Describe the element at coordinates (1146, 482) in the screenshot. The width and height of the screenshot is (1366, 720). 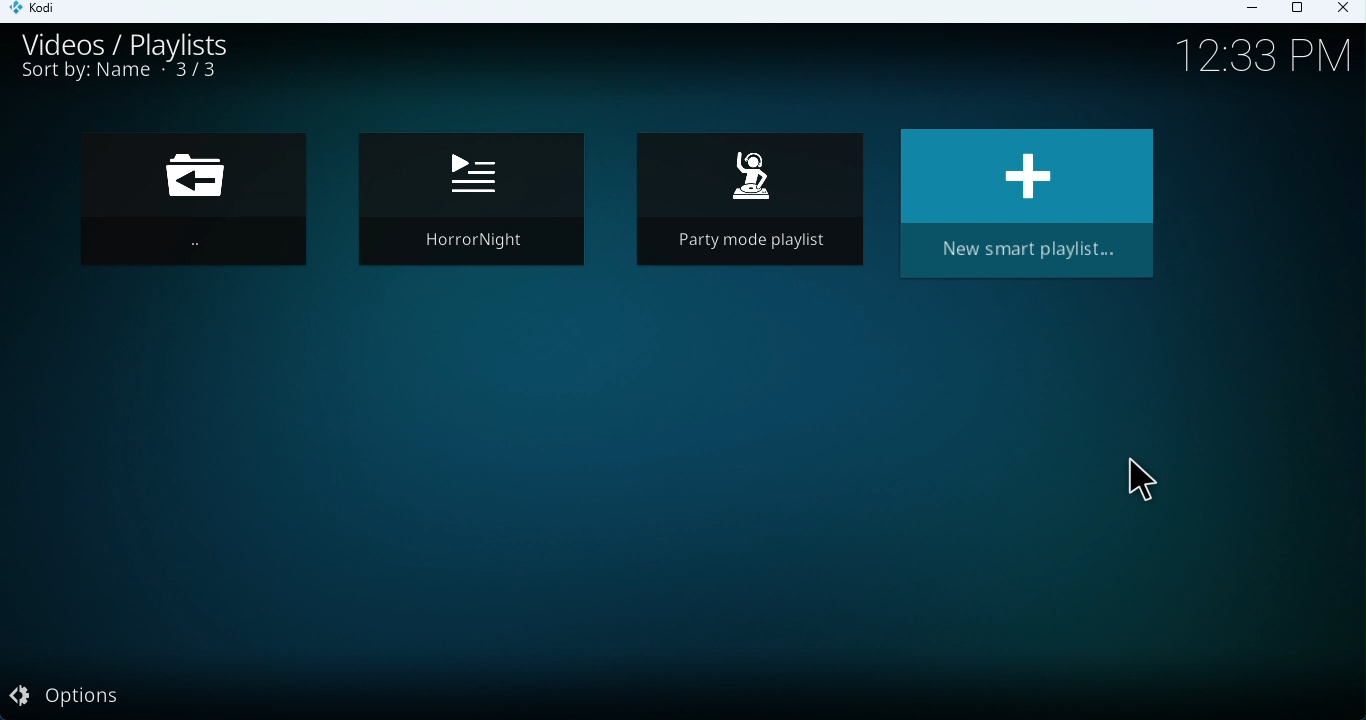
I see `cursor` at that location.